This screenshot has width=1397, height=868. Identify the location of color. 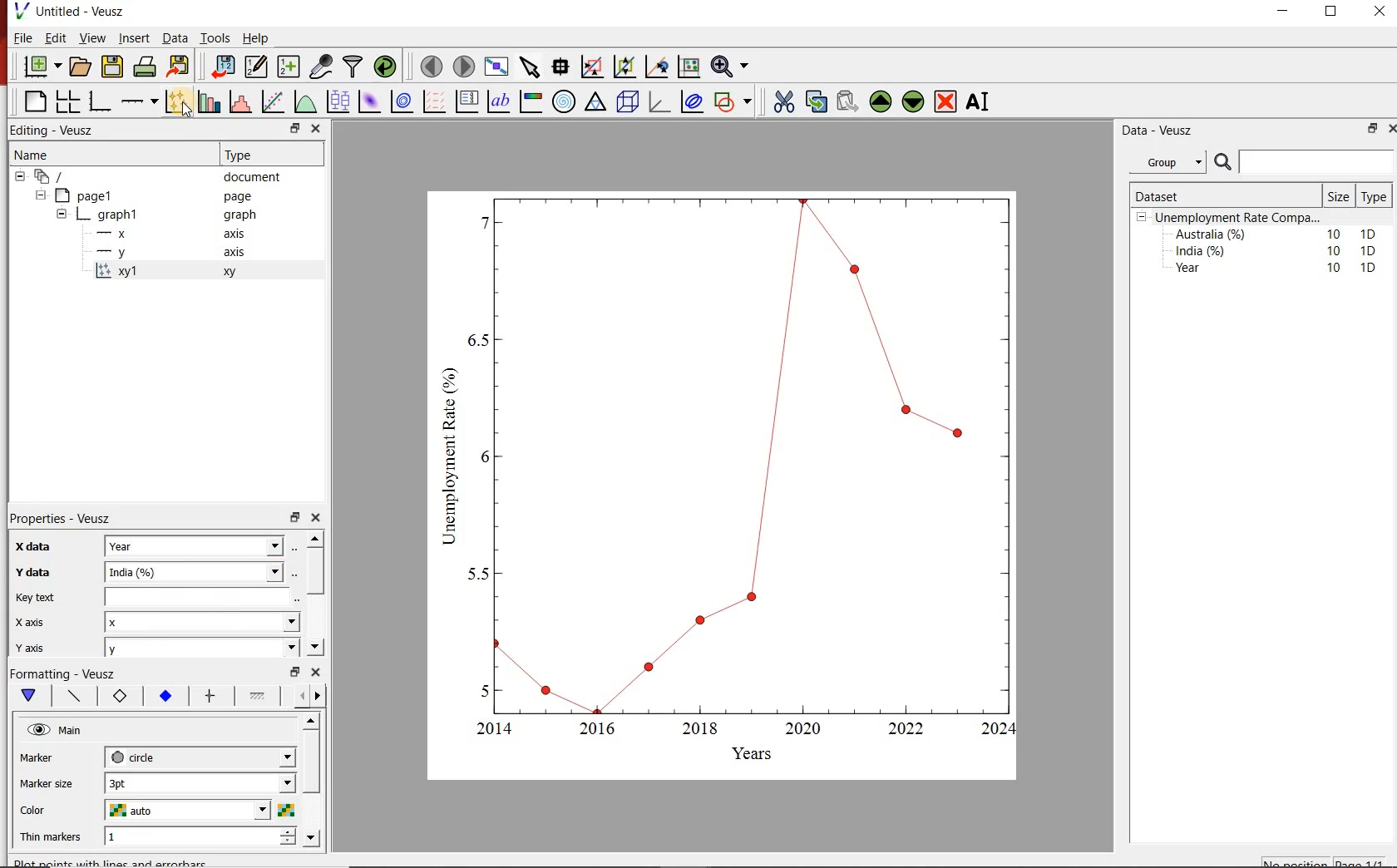
(46, 811).